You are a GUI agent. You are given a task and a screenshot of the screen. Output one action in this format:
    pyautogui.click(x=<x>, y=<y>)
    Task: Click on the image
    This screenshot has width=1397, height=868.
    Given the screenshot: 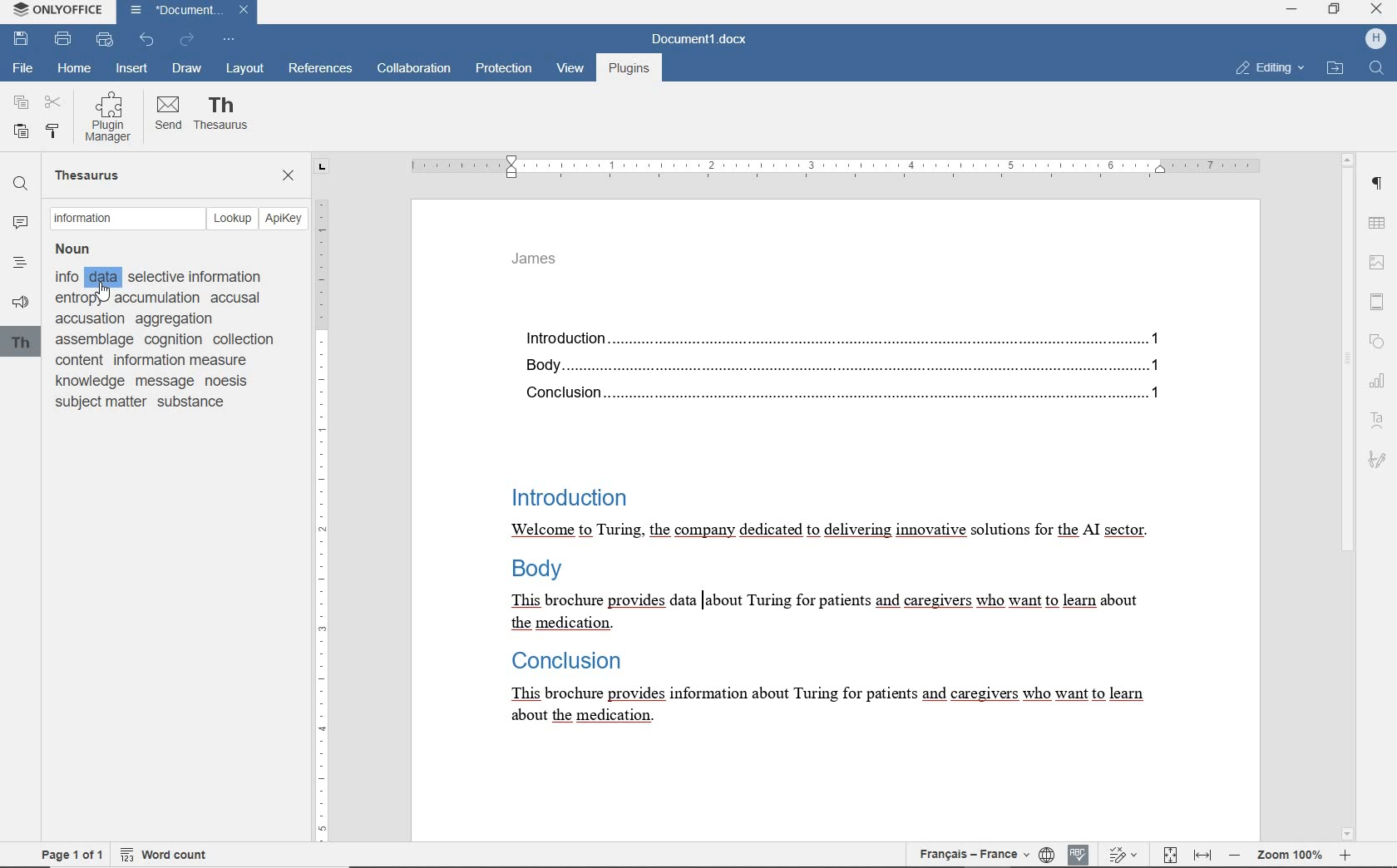 What is the action you would take?
    pyautogui.click(x=1378, y=260)
    